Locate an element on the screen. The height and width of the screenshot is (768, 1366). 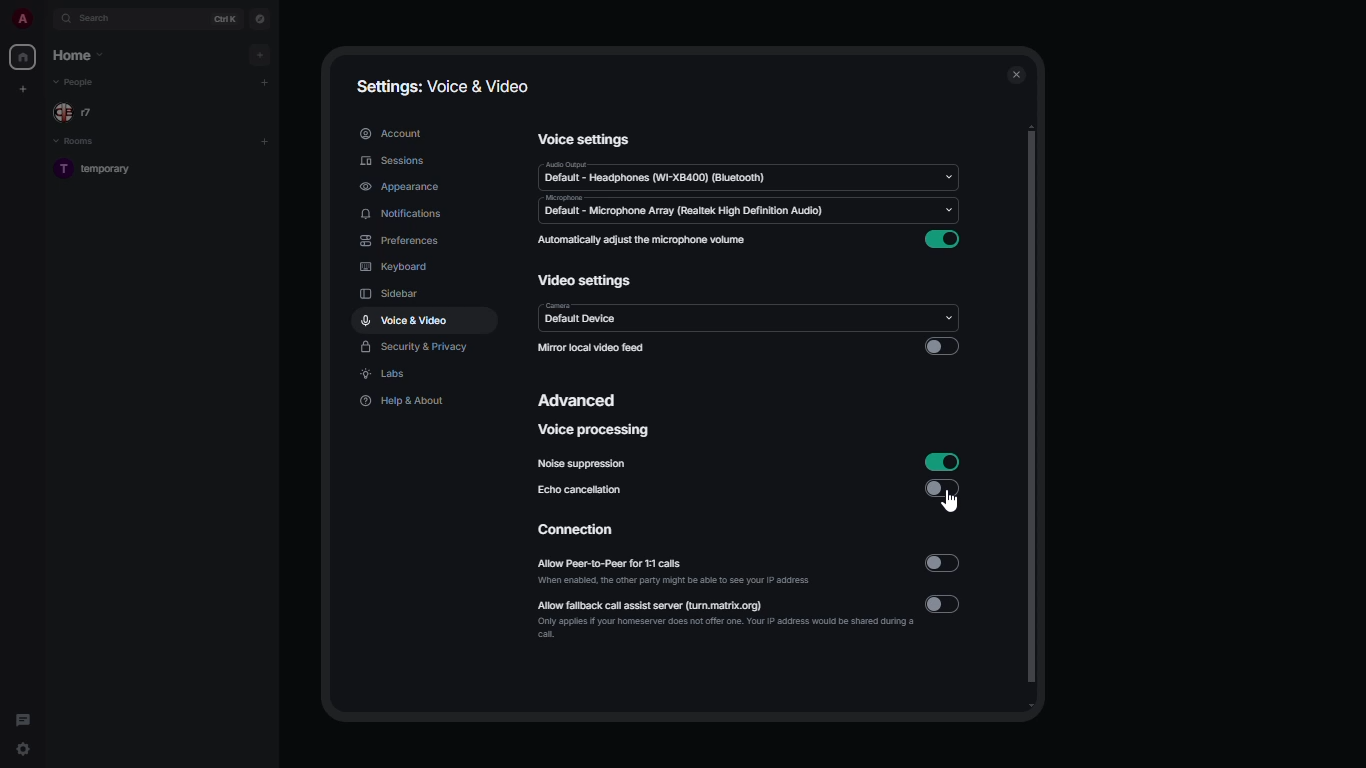
microphone default is located at coordinates (690, 208).